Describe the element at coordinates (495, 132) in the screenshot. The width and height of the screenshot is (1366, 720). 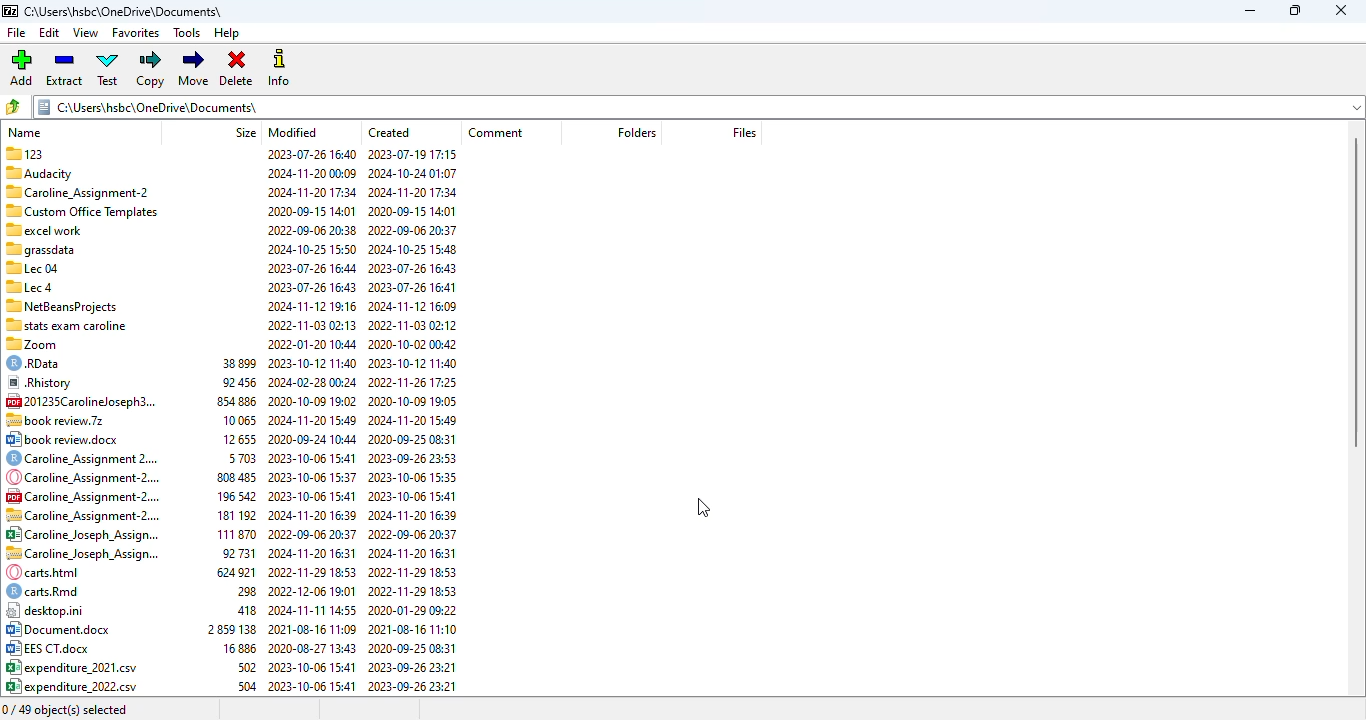
I see `comment` at that location.